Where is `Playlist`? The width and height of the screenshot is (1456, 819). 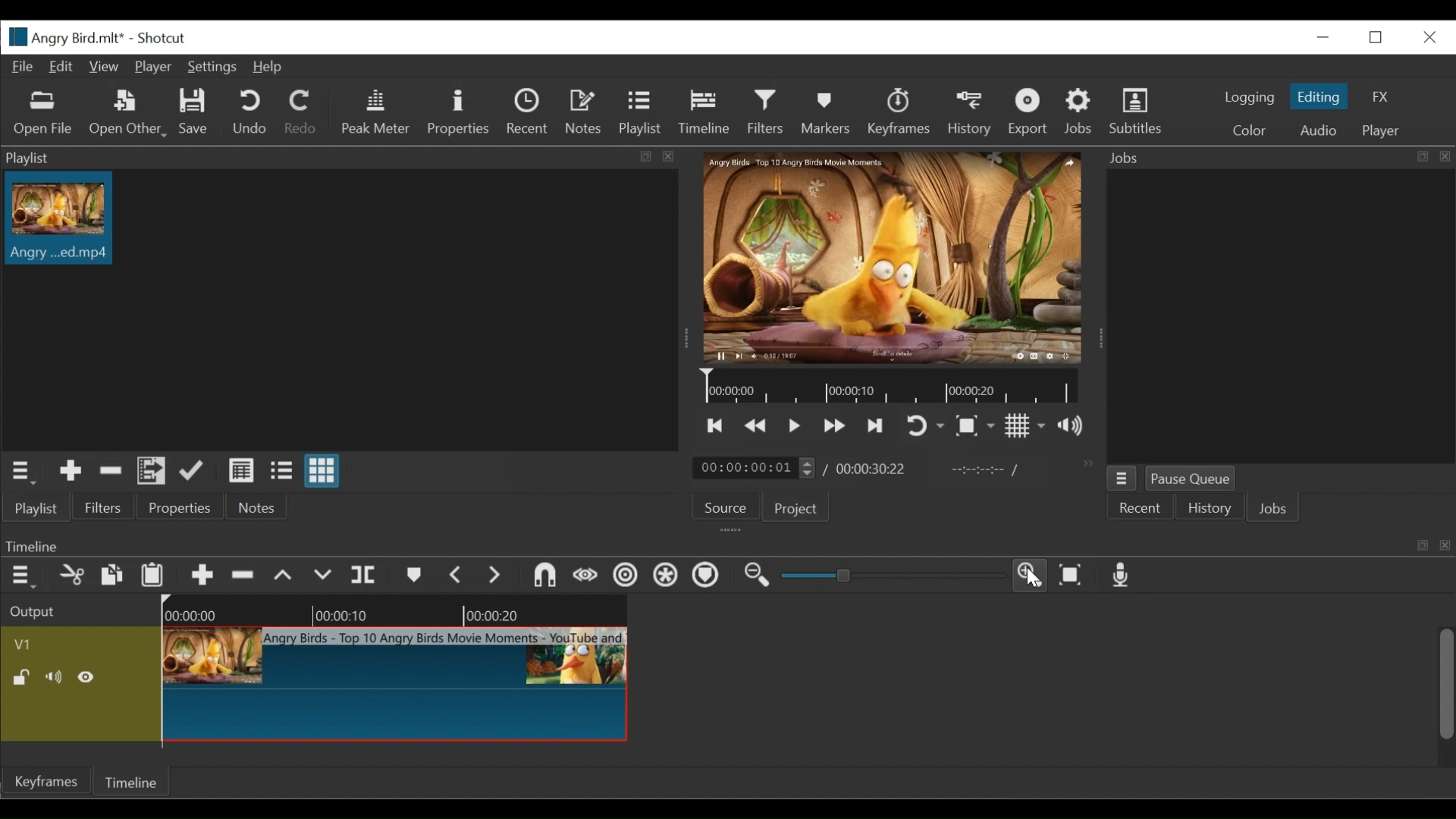 Playlist is located at coordinates (341, 158).